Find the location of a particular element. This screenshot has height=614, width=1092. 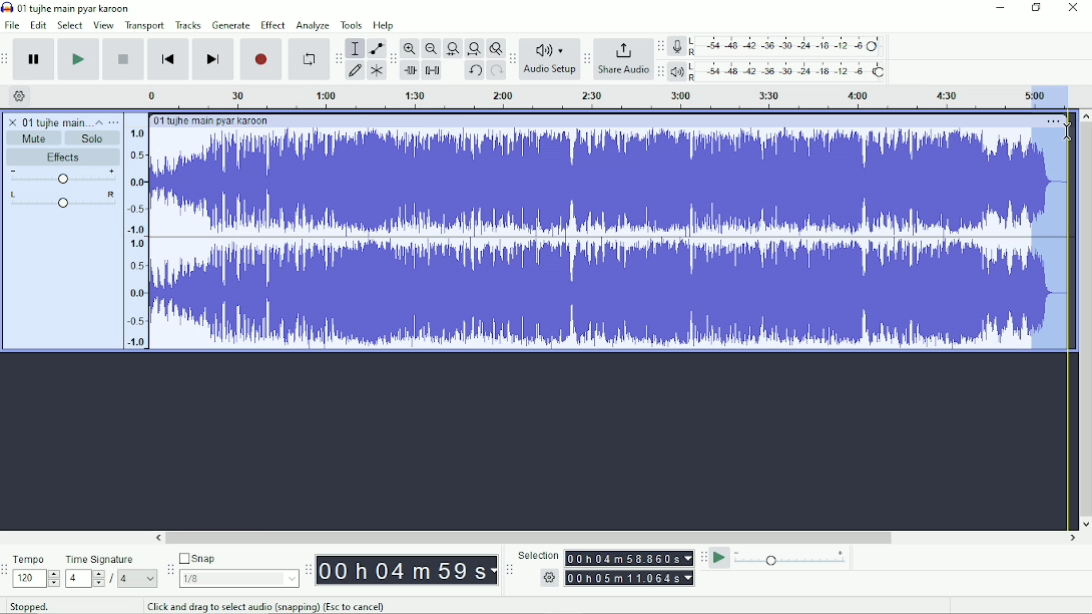

Stop is located at coordinates (122, 59).